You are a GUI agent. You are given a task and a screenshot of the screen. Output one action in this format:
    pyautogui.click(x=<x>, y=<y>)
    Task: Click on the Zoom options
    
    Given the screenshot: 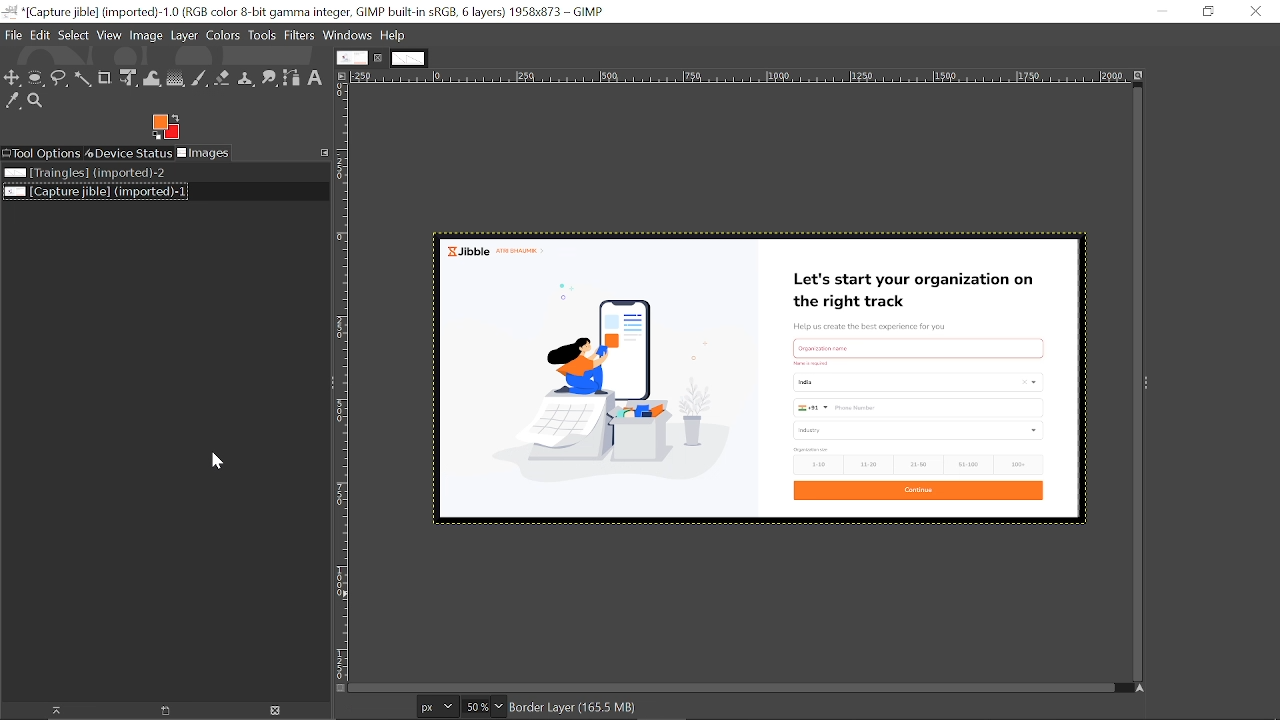 What is the action you would take?
    pyautogui.click(x=499, y=708)
    